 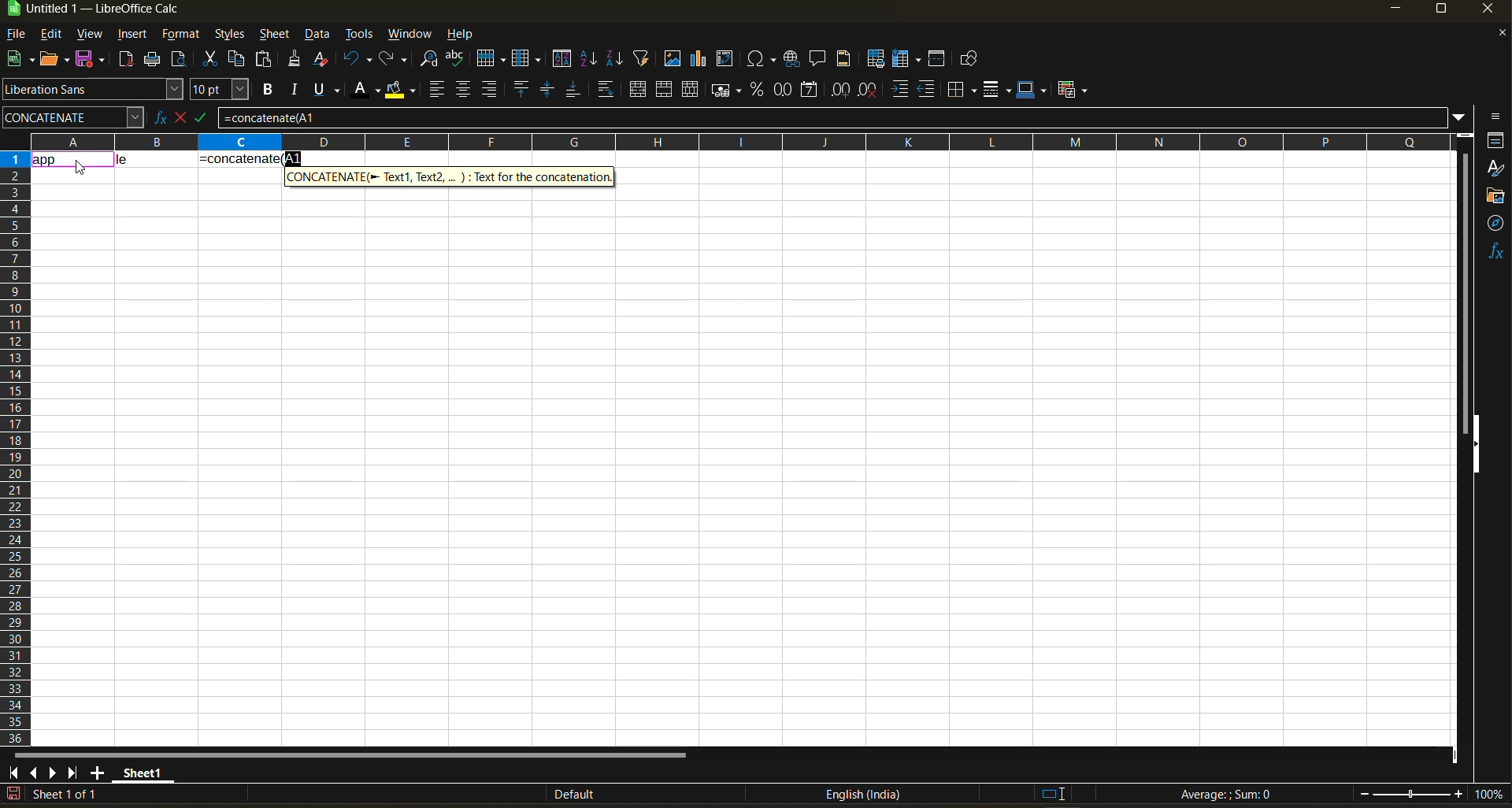 What do you see at coordinates (1440, 12) in the screenshot?
I see `maximize` at bounding box center [1440, 12].